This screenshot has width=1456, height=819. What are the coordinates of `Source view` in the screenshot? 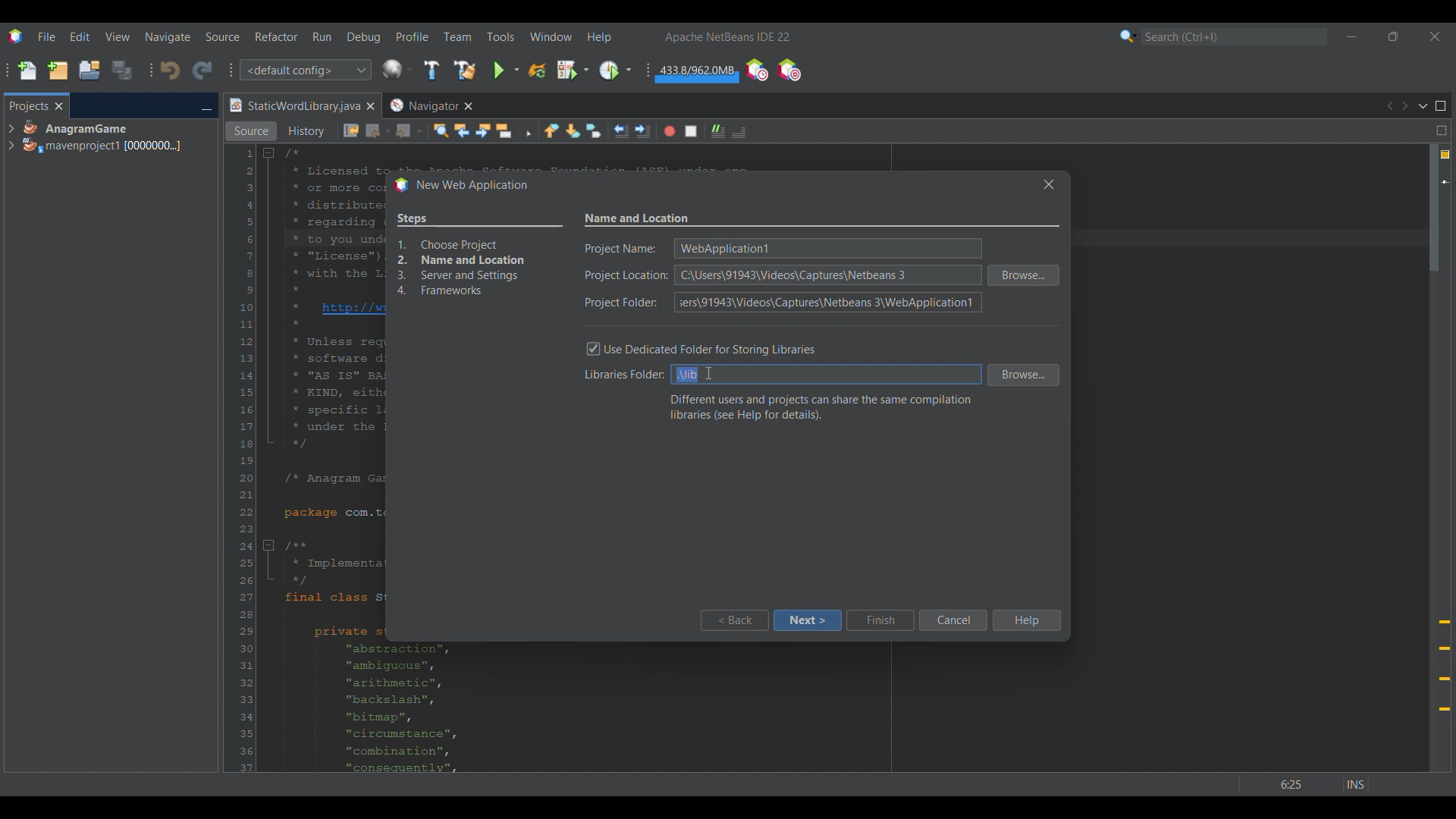 It's located at (251, 131).